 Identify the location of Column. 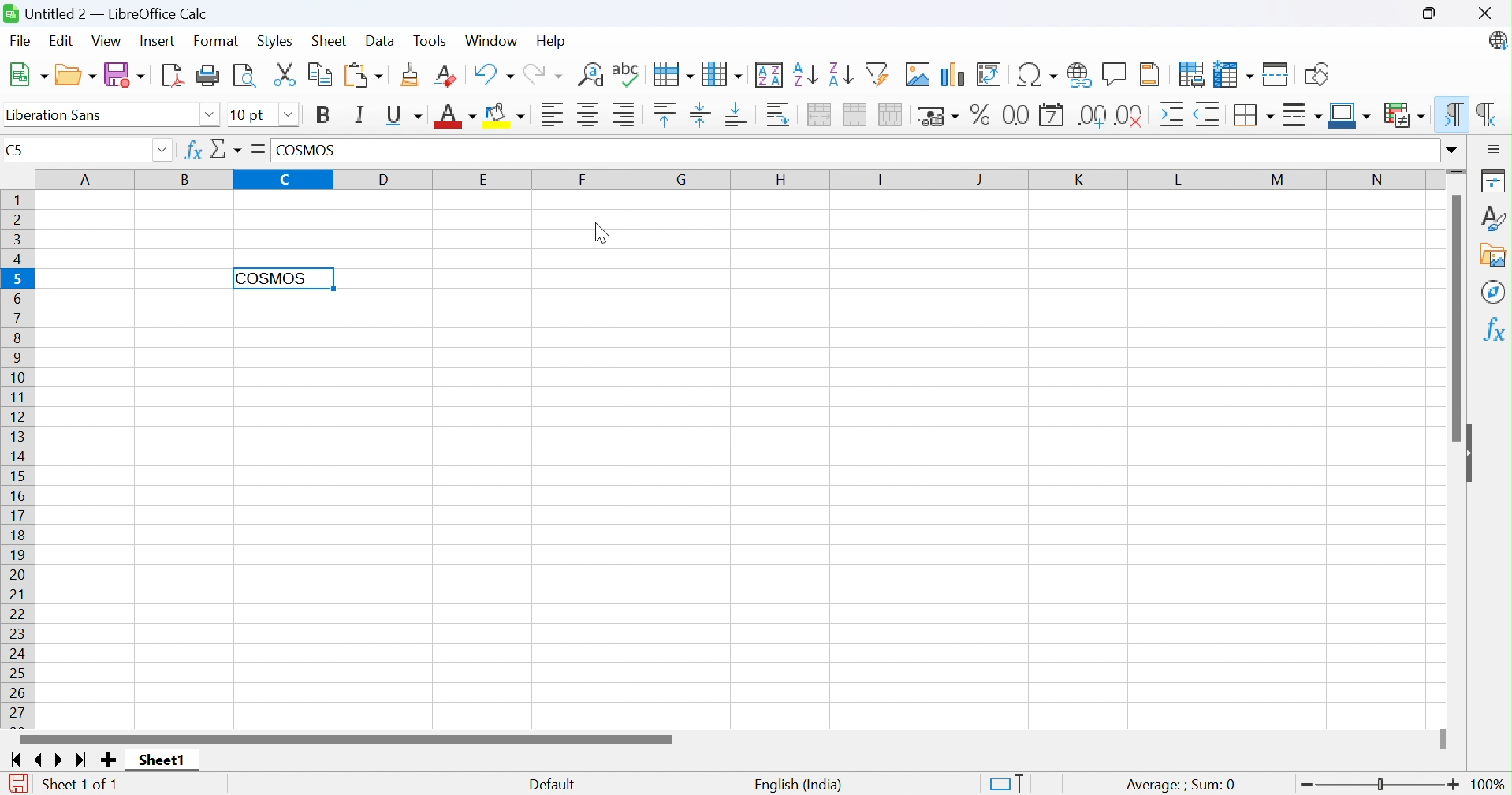
(723, 73).